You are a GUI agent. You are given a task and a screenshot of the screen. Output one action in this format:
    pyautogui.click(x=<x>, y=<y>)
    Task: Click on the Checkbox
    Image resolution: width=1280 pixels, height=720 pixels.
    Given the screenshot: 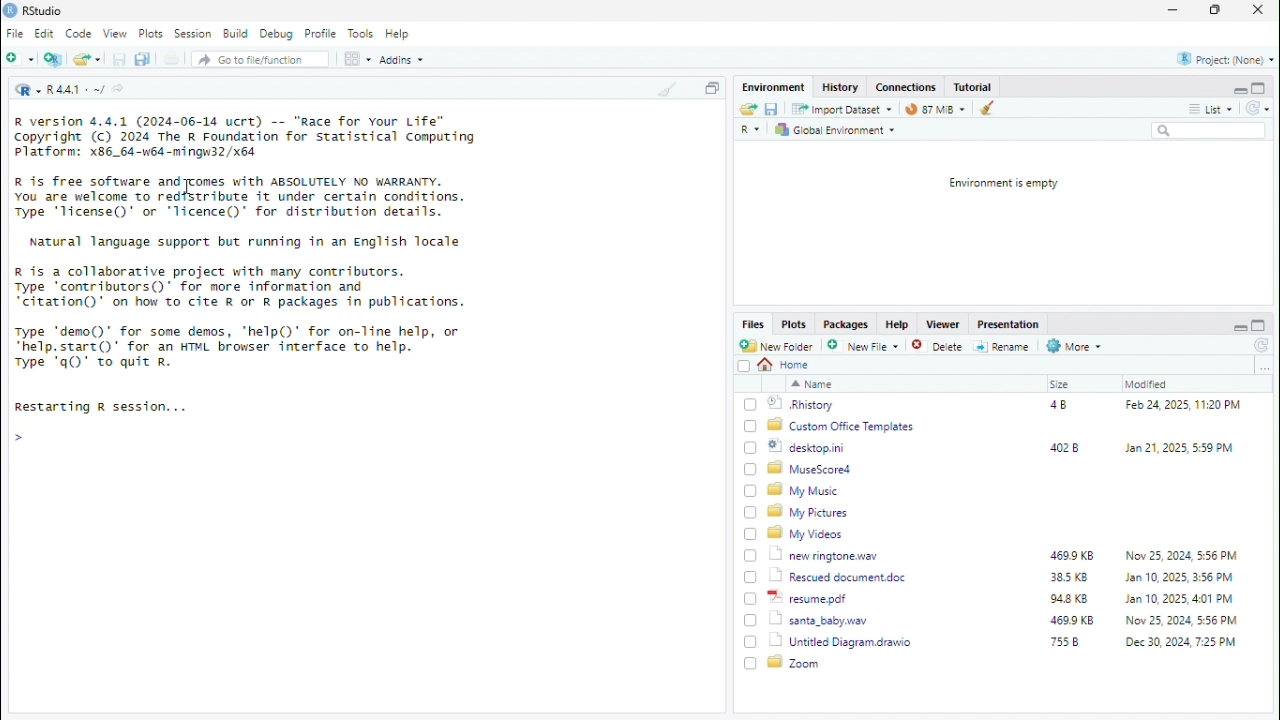 What is the action you would take?
    pyautogui.click(x=751, y=534)
    